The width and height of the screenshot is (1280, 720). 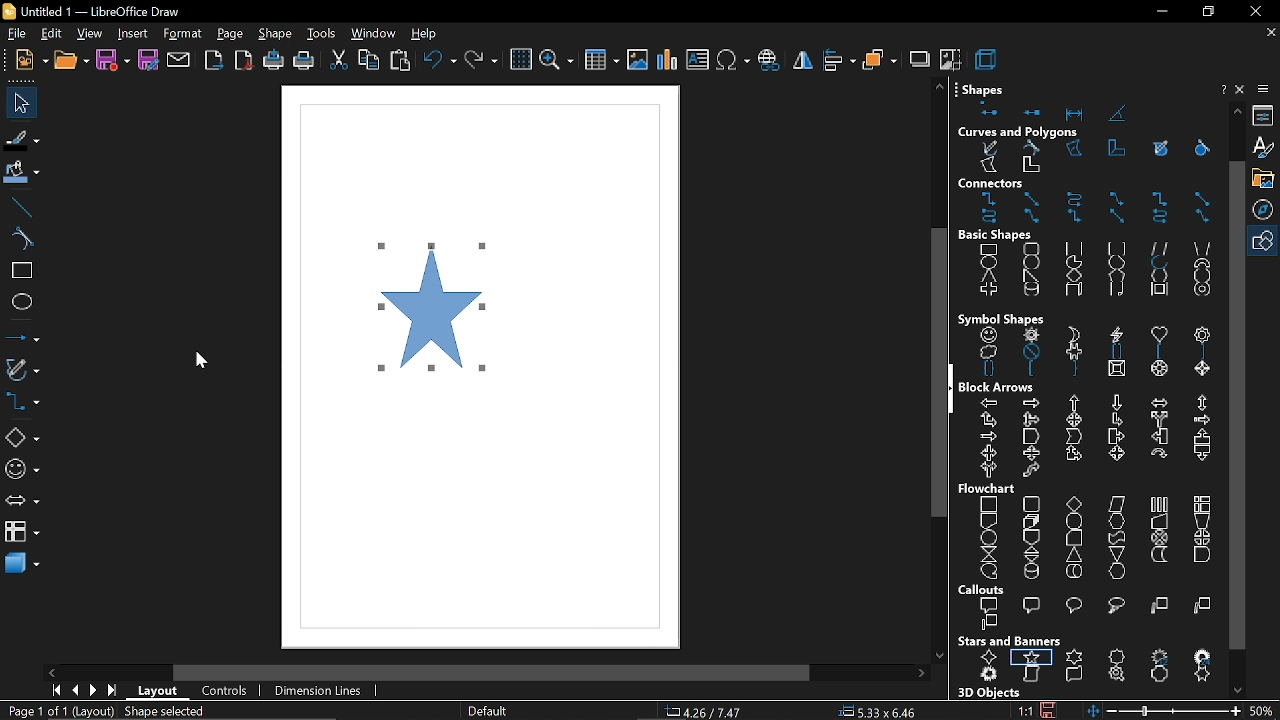 I want to click on curves  and polygons, so click(x=1023, y=130).